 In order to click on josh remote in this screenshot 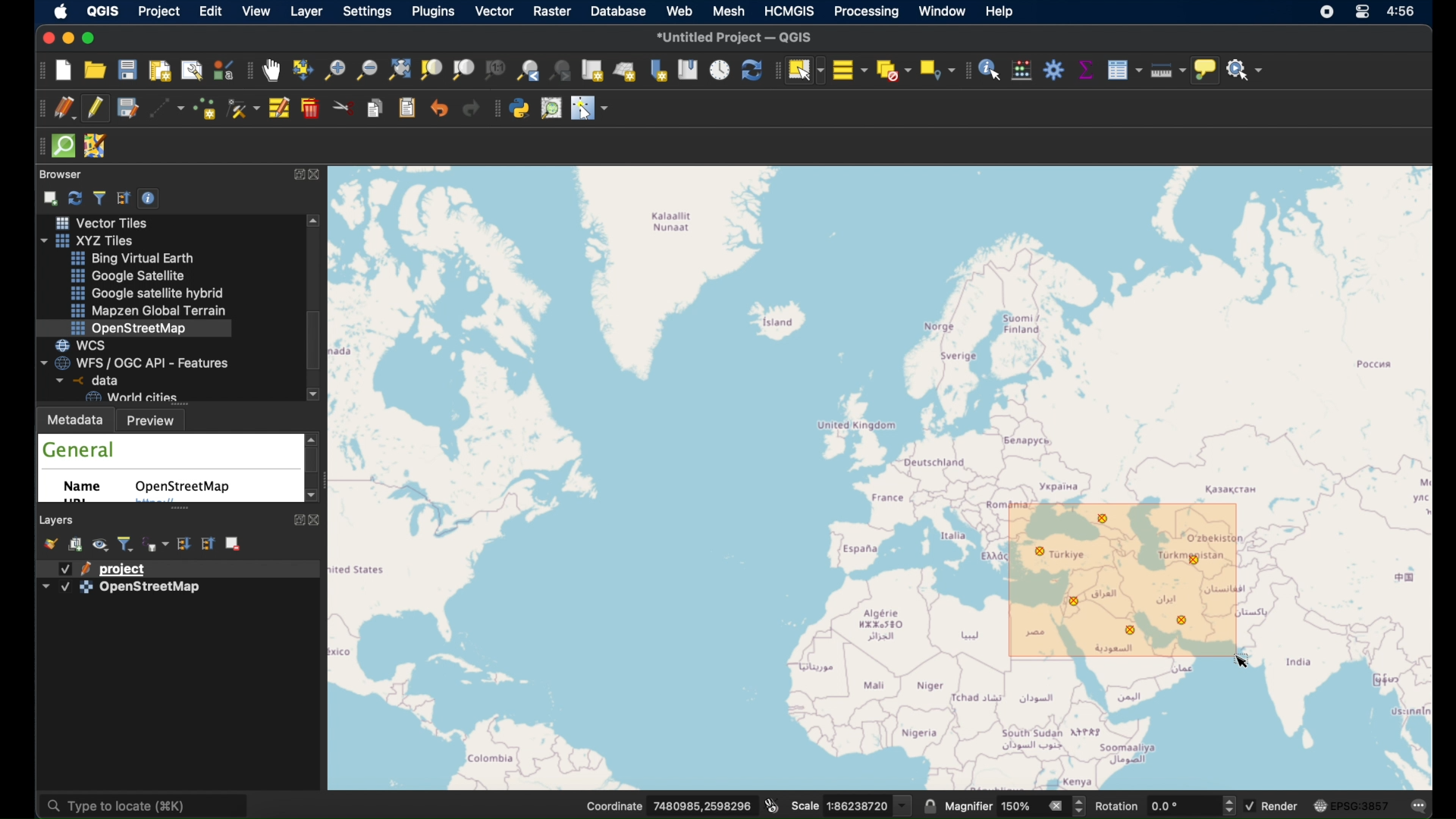, I will do `click(96, 146)`.